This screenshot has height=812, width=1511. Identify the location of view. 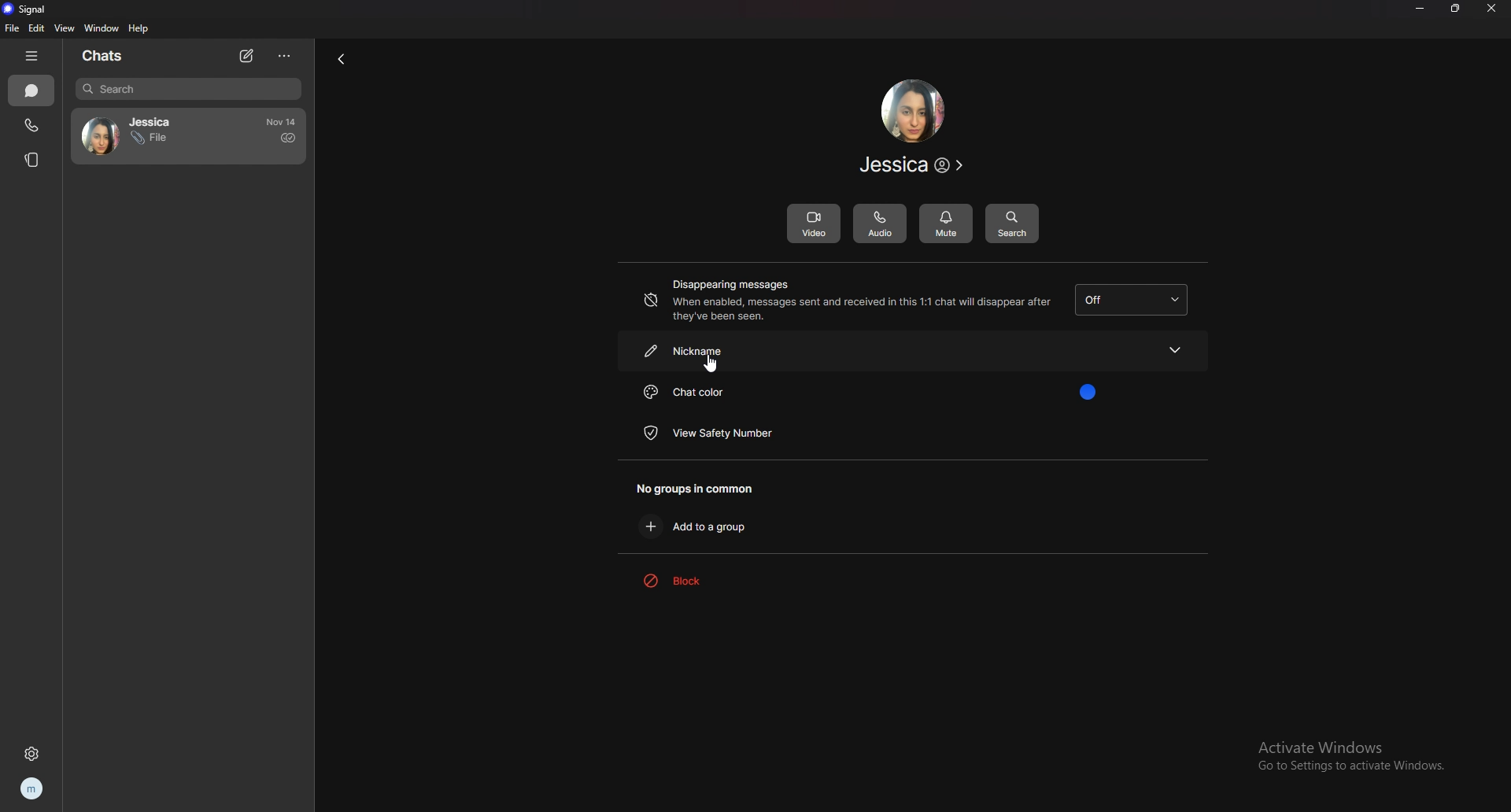
(66, 28).